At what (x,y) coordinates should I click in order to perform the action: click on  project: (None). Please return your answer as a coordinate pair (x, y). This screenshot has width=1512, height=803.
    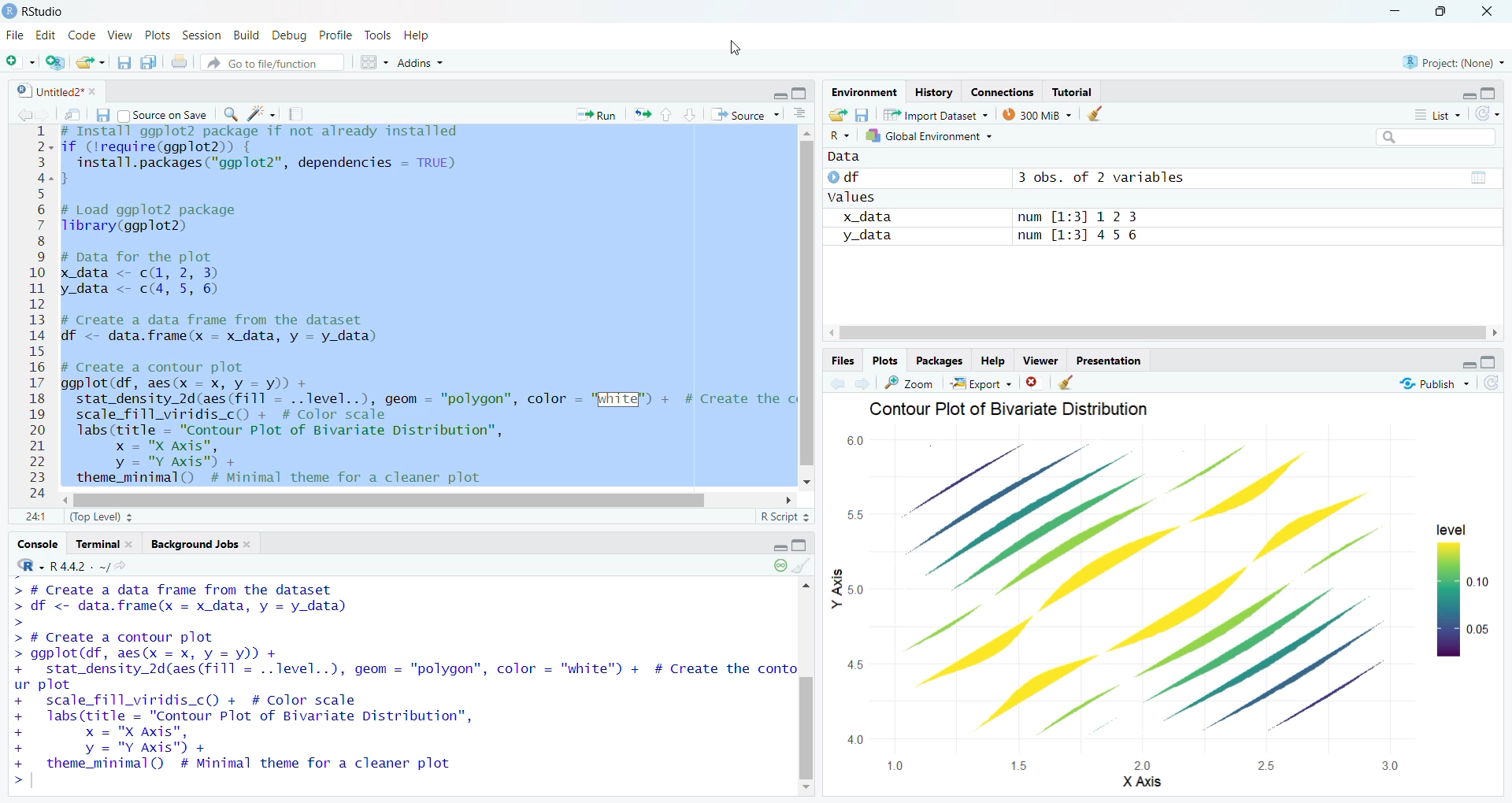
    Looking at the image, I should click on (1453, 61).